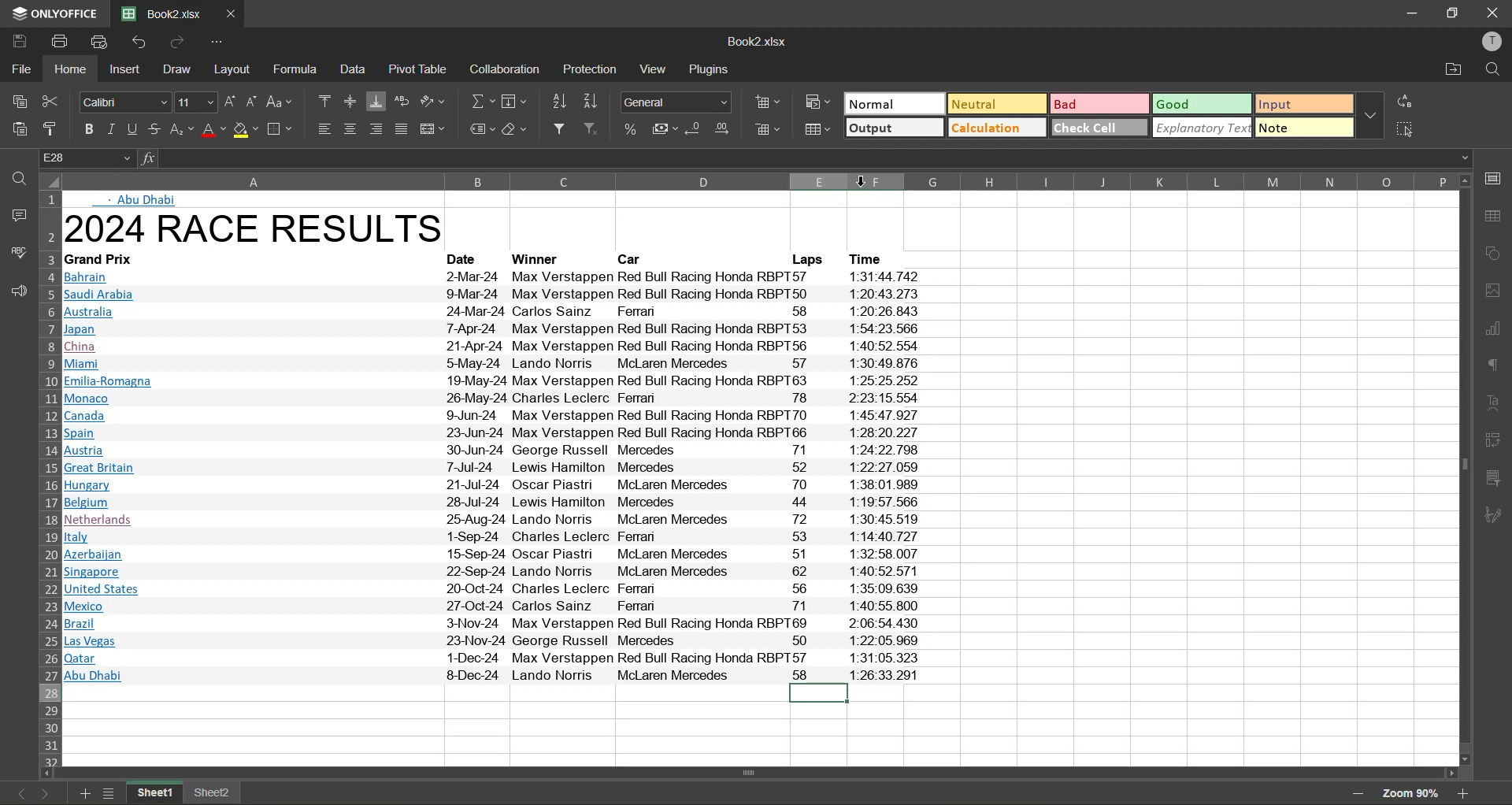  What do you see at coordinates (321, 100) in the screenshot?
I see `align top` at bounding box center [321, 100].